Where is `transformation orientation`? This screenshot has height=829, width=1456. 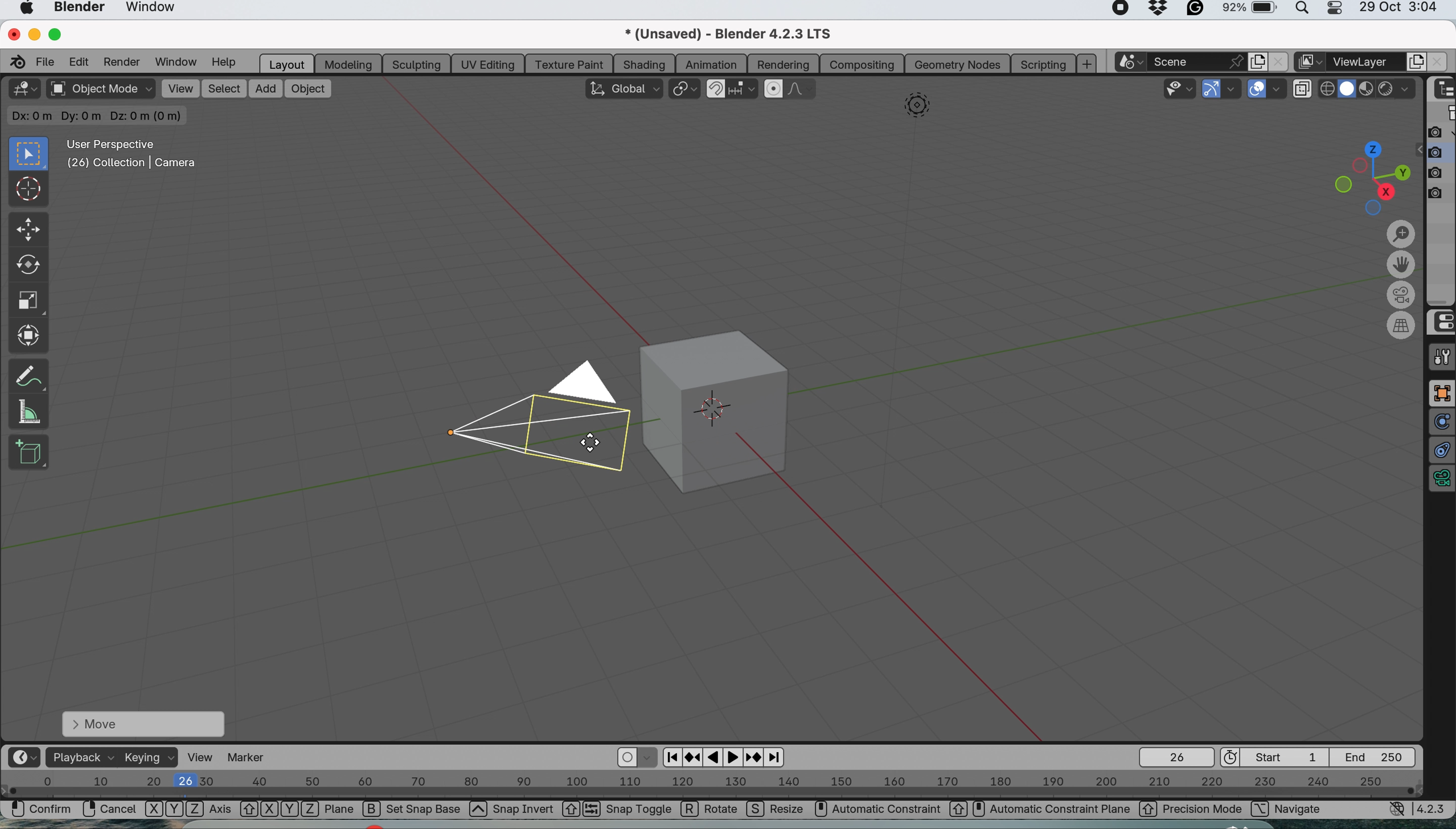
transformation orientation is located at coordinates (622, 88).